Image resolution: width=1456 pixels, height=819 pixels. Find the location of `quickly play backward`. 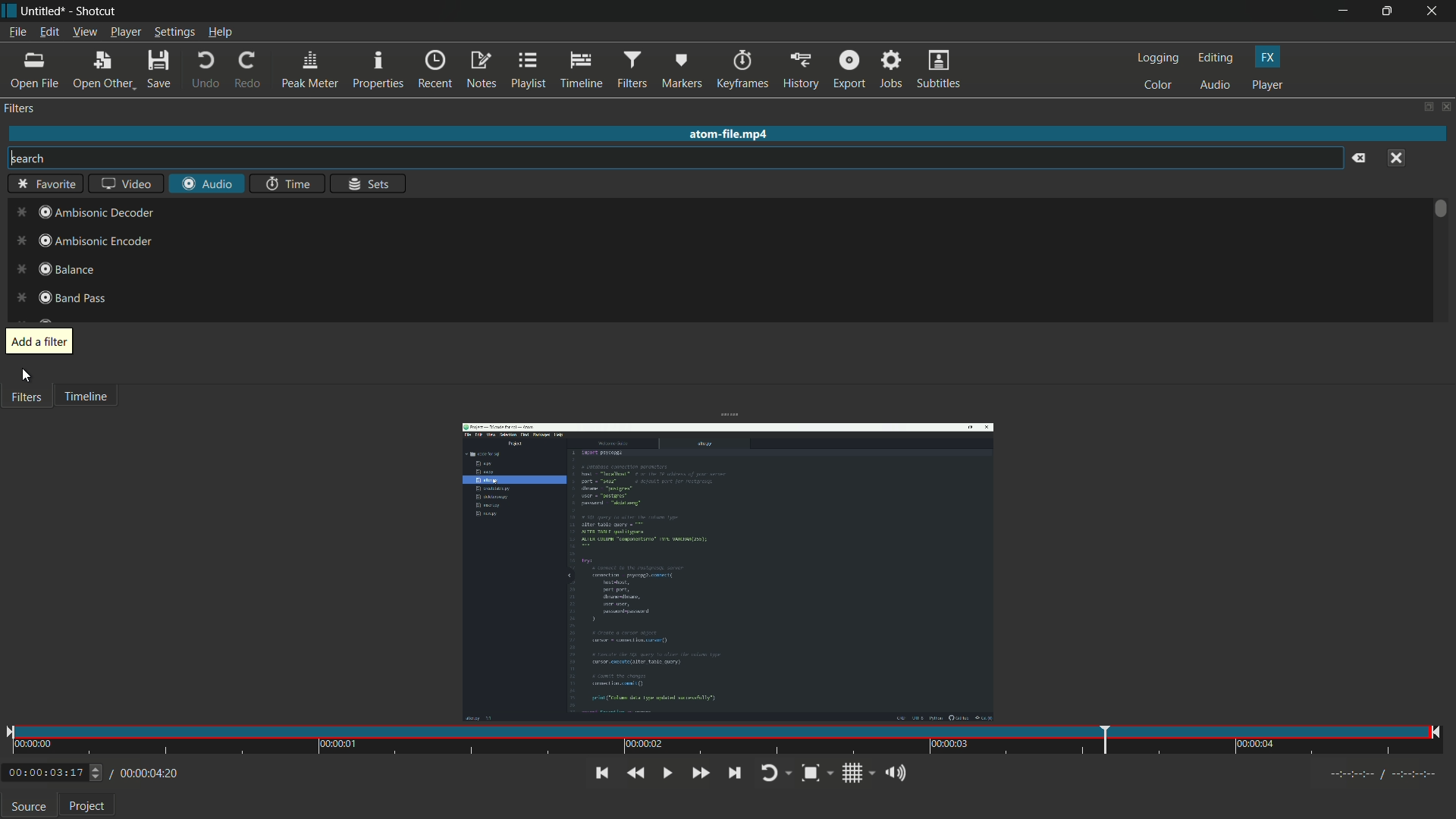

quickly play backward is located at coordinates (635, 773).